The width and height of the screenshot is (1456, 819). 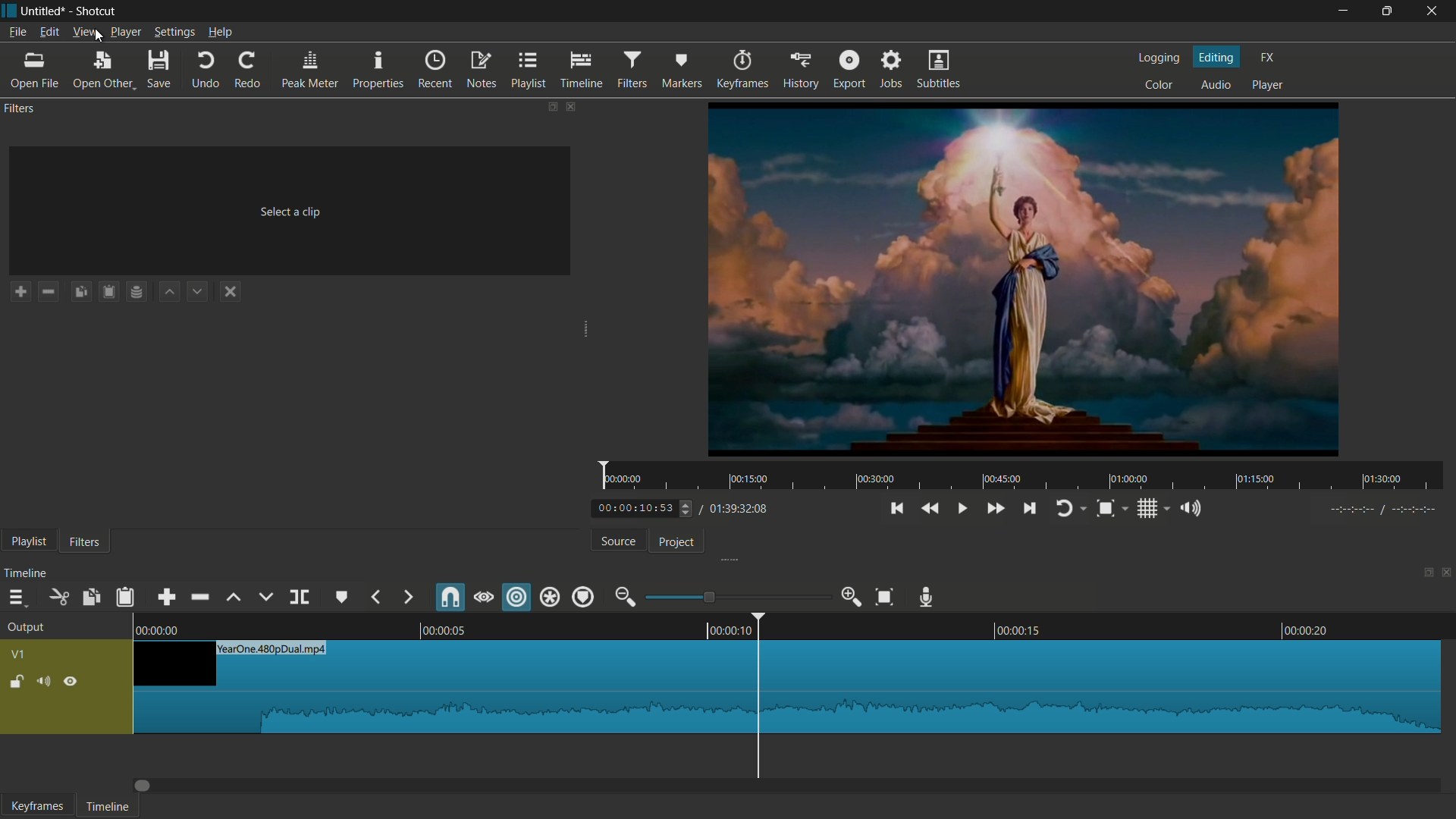 I want to click on zoom out, so click(x=624, y=597).